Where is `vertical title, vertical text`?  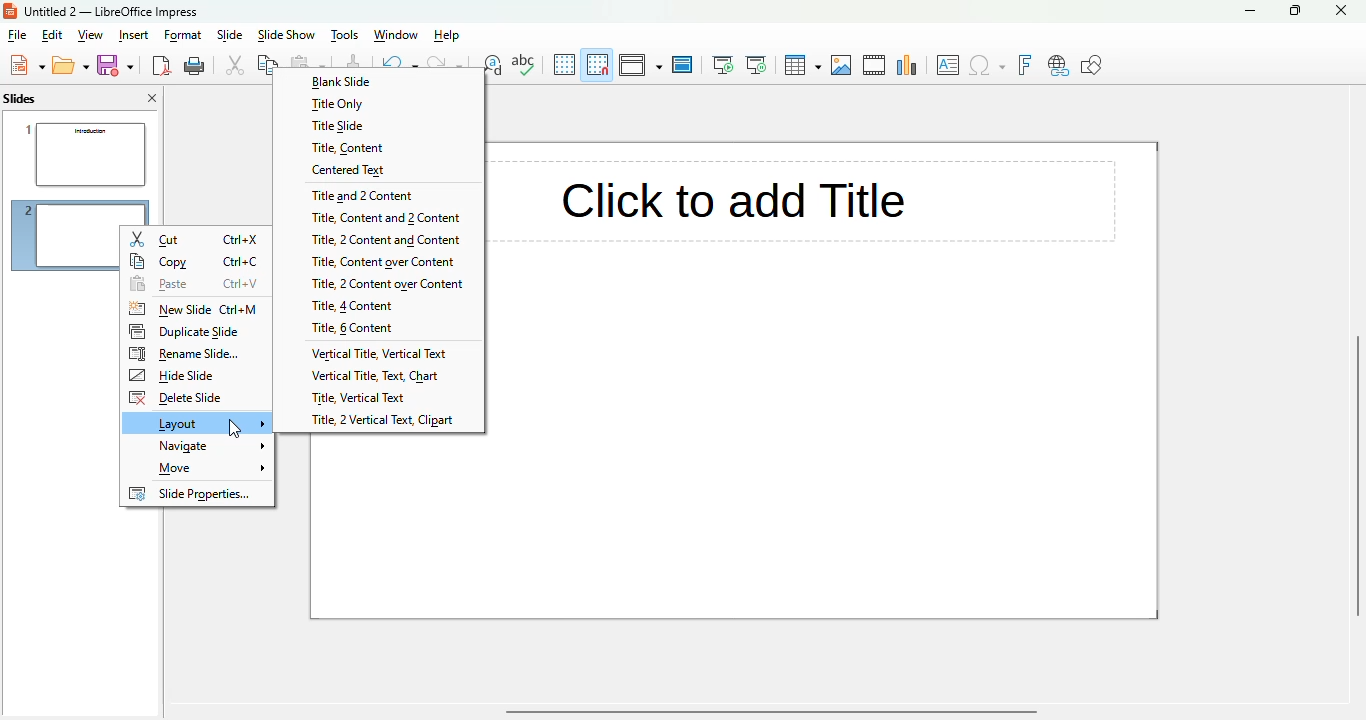
vertical title, vertical text is located at coordinates (379, 352).